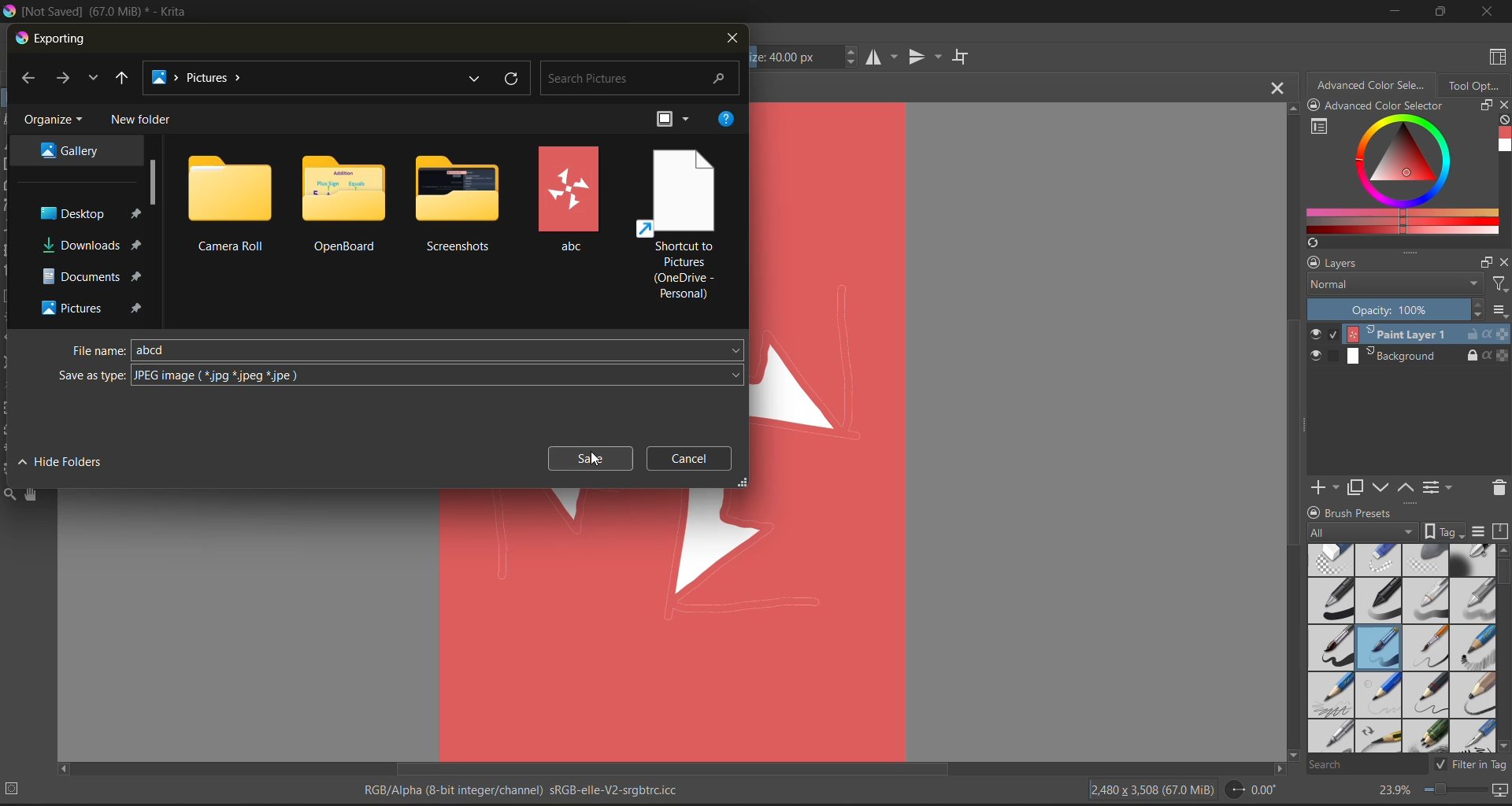 This screenshot has width=1512, height=806. I want to click on organize, so click(54, 122).